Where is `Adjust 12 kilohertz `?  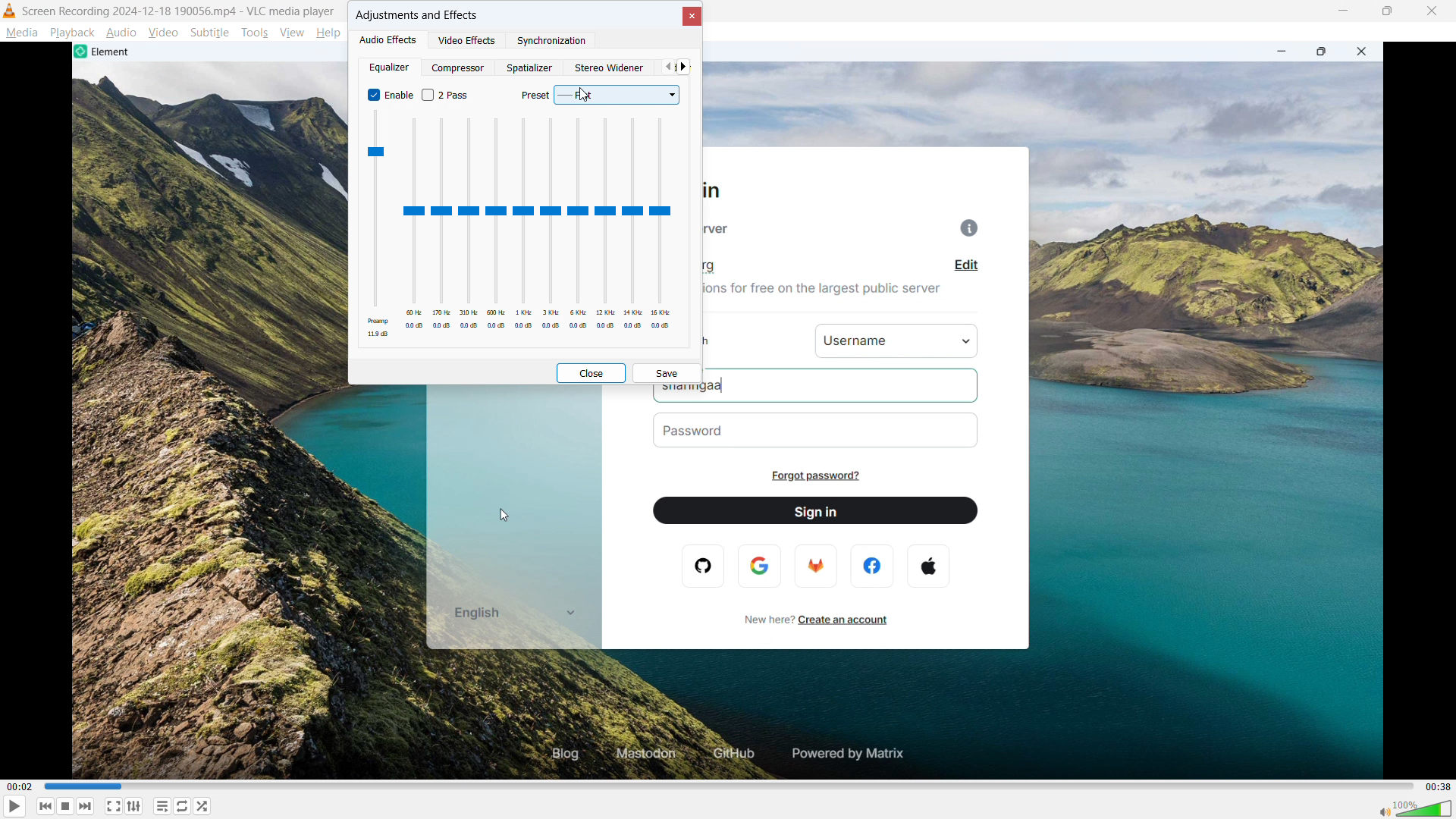 Adjust 12 kilohertz  is located at coordinates (606, 224).